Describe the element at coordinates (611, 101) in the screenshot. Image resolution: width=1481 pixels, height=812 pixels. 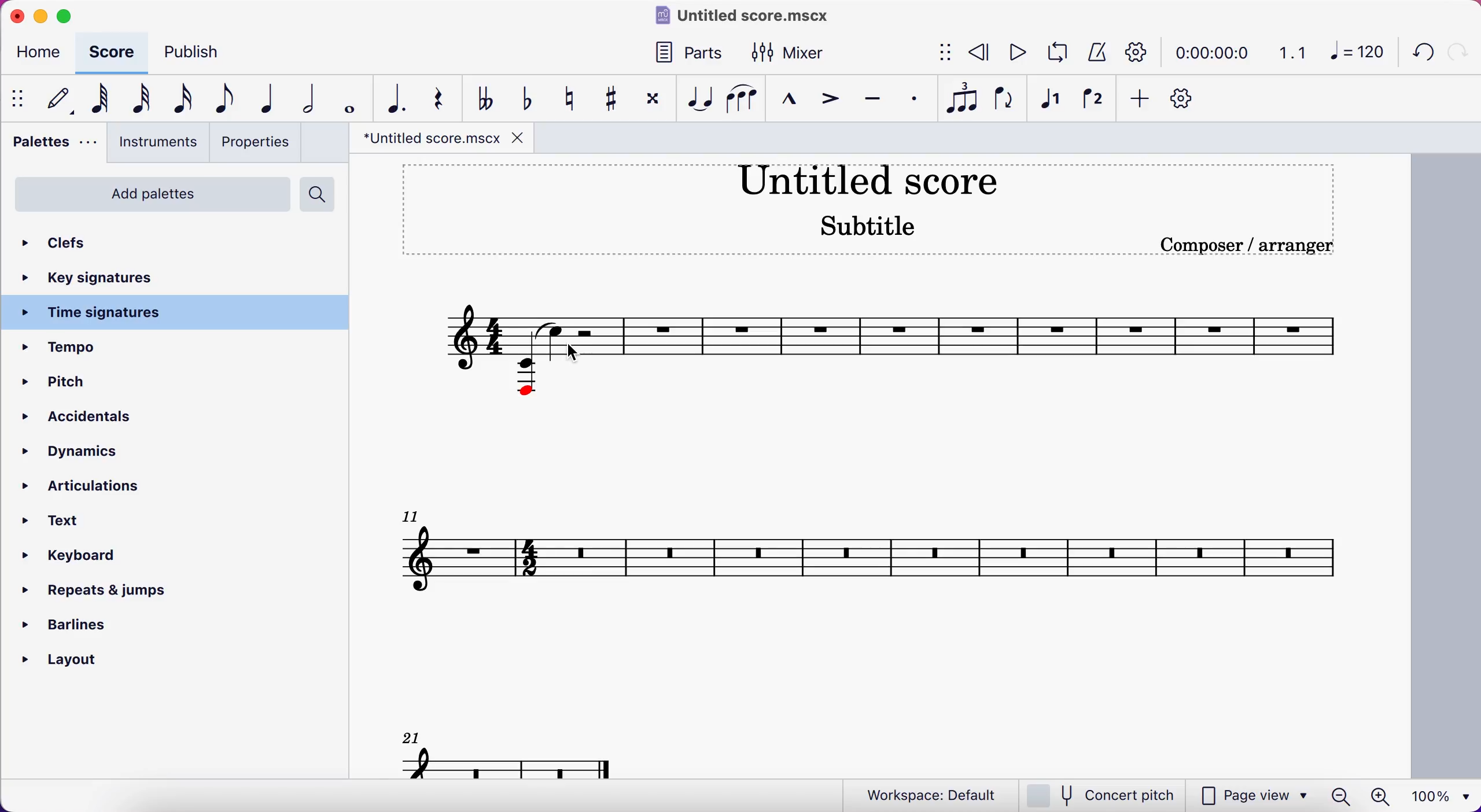
I see `toggle sharp` at that location.